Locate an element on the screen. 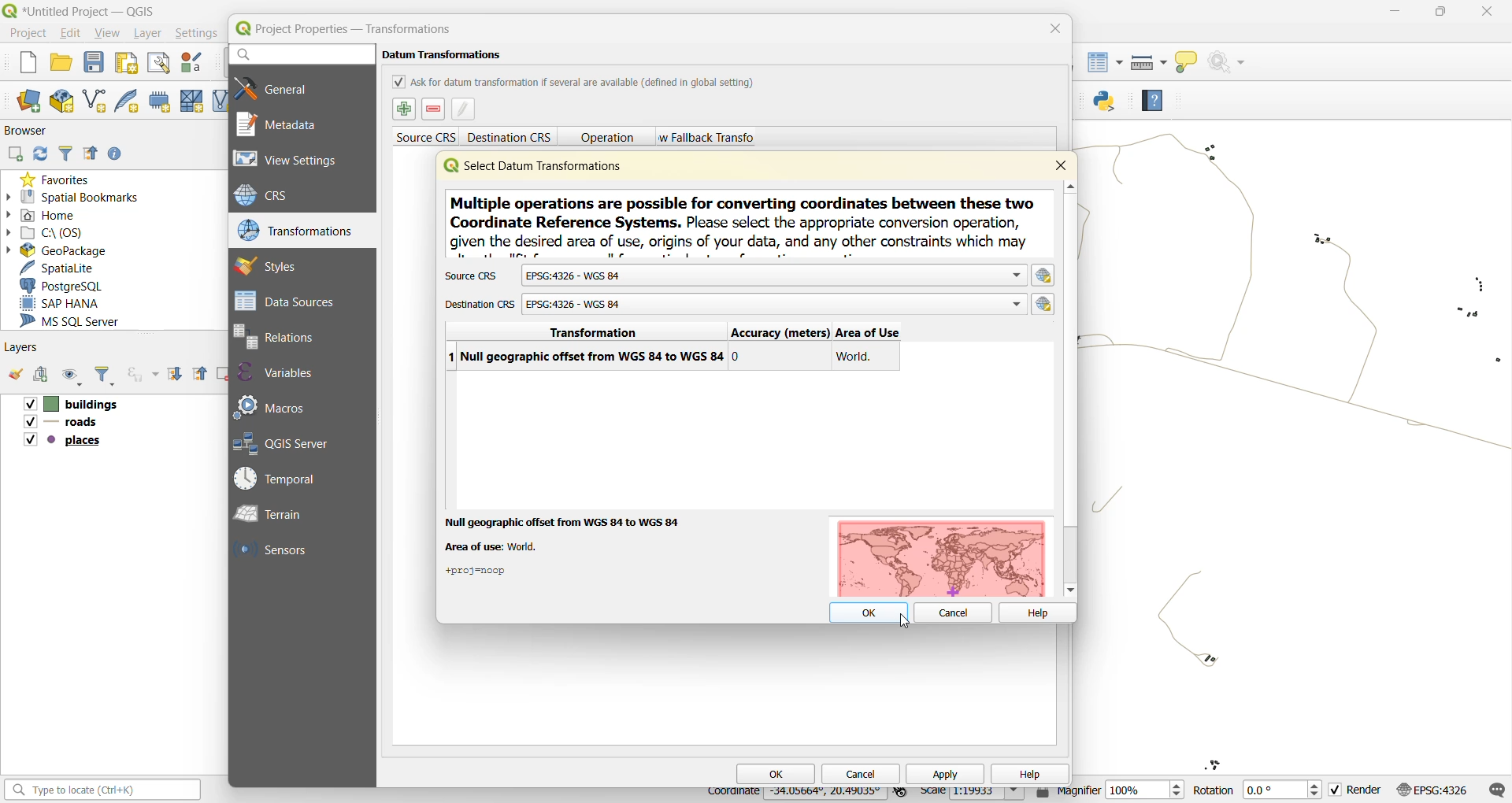 The height and width of the screenshot is (803, 1512). crs is located at coordinates (1436, 790).